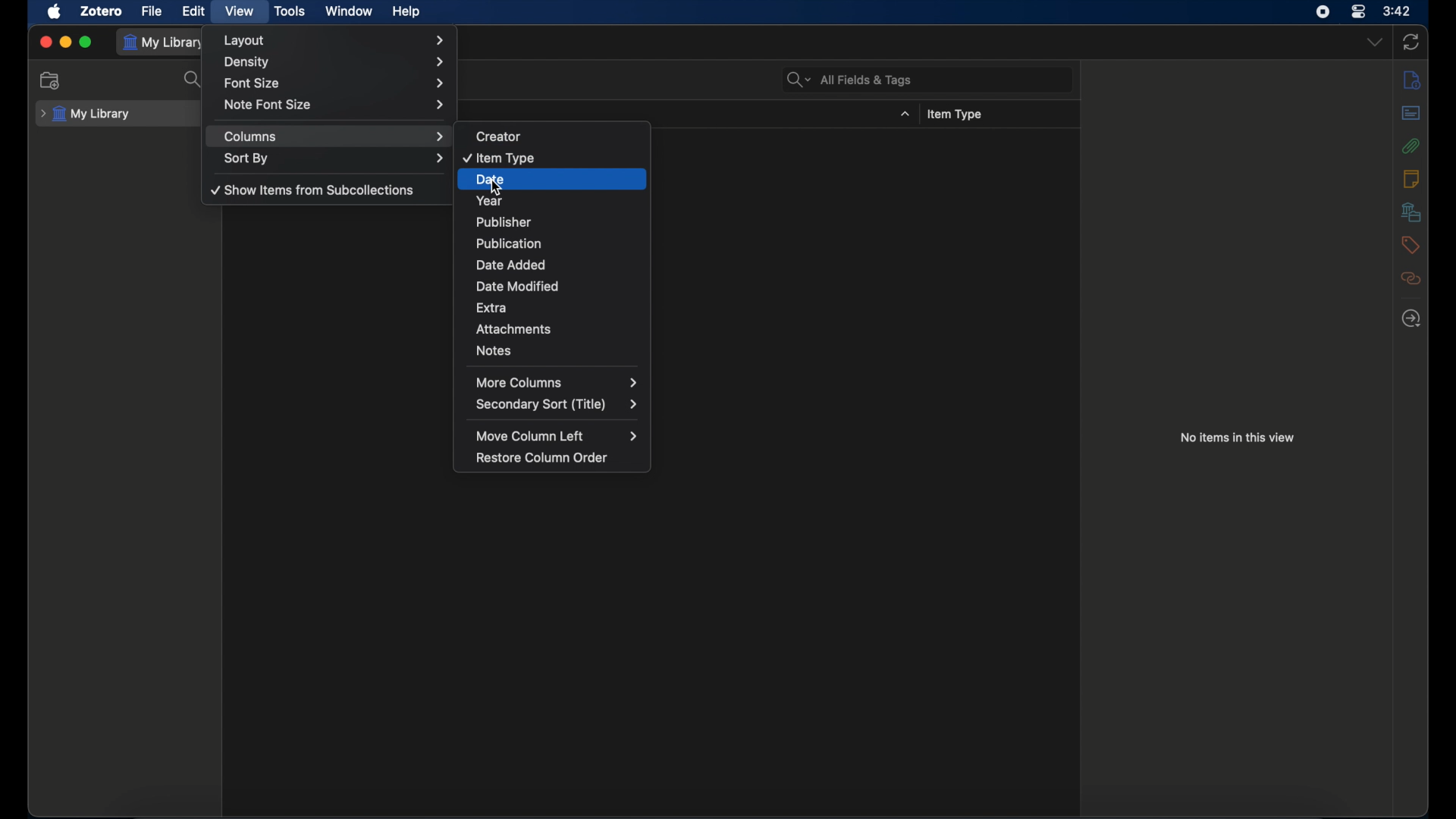 This screenshot has height=819, width=1456. Describe the element at coordinates (334, 62) in the screenshot. I see `density` at that location.